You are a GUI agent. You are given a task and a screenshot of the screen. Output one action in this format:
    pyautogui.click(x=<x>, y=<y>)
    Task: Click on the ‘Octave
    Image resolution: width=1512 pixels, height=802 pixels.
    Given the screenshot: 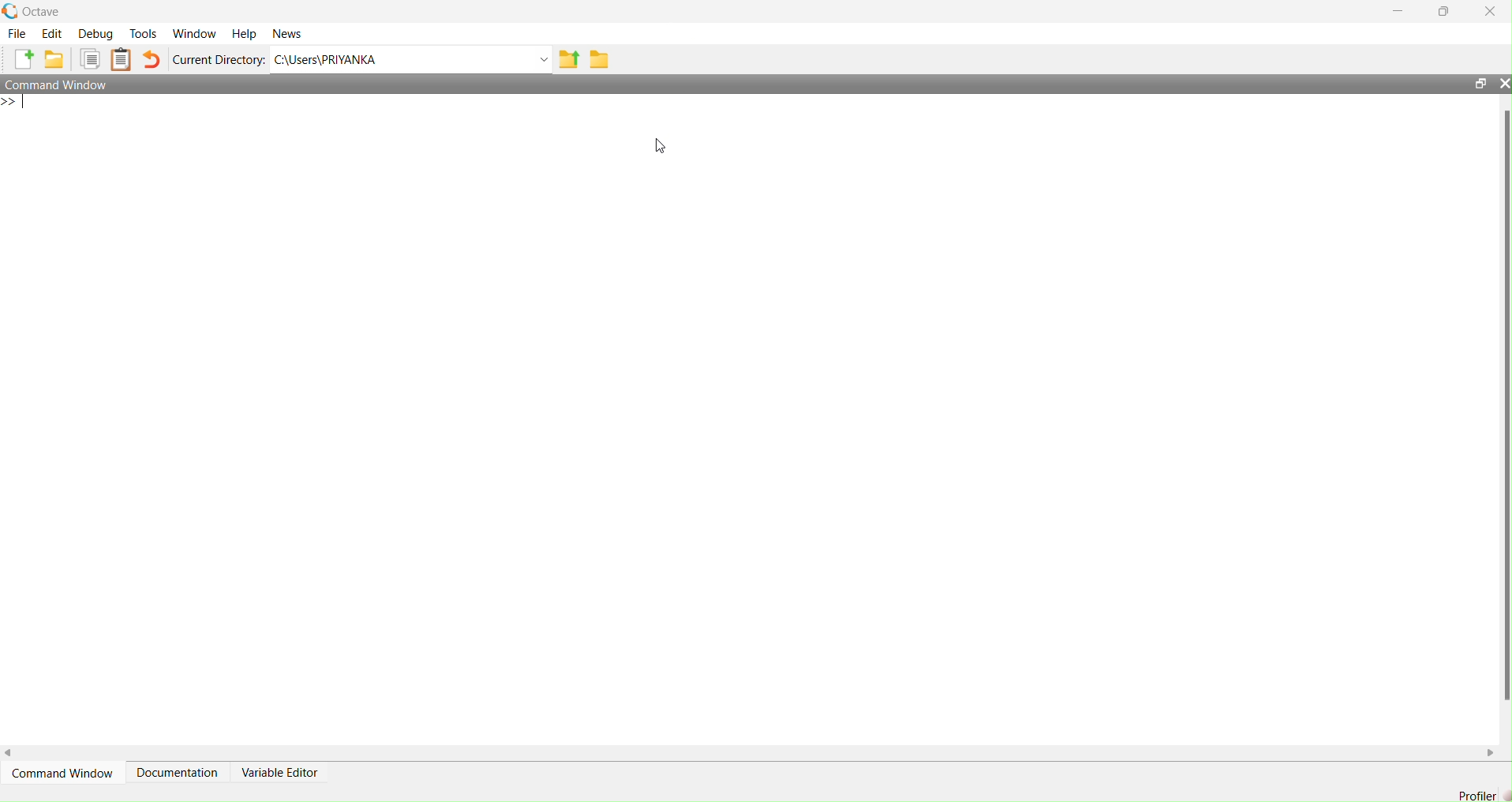 What is the action you would take?
    pyautogui.click(x=37, y=9)
    